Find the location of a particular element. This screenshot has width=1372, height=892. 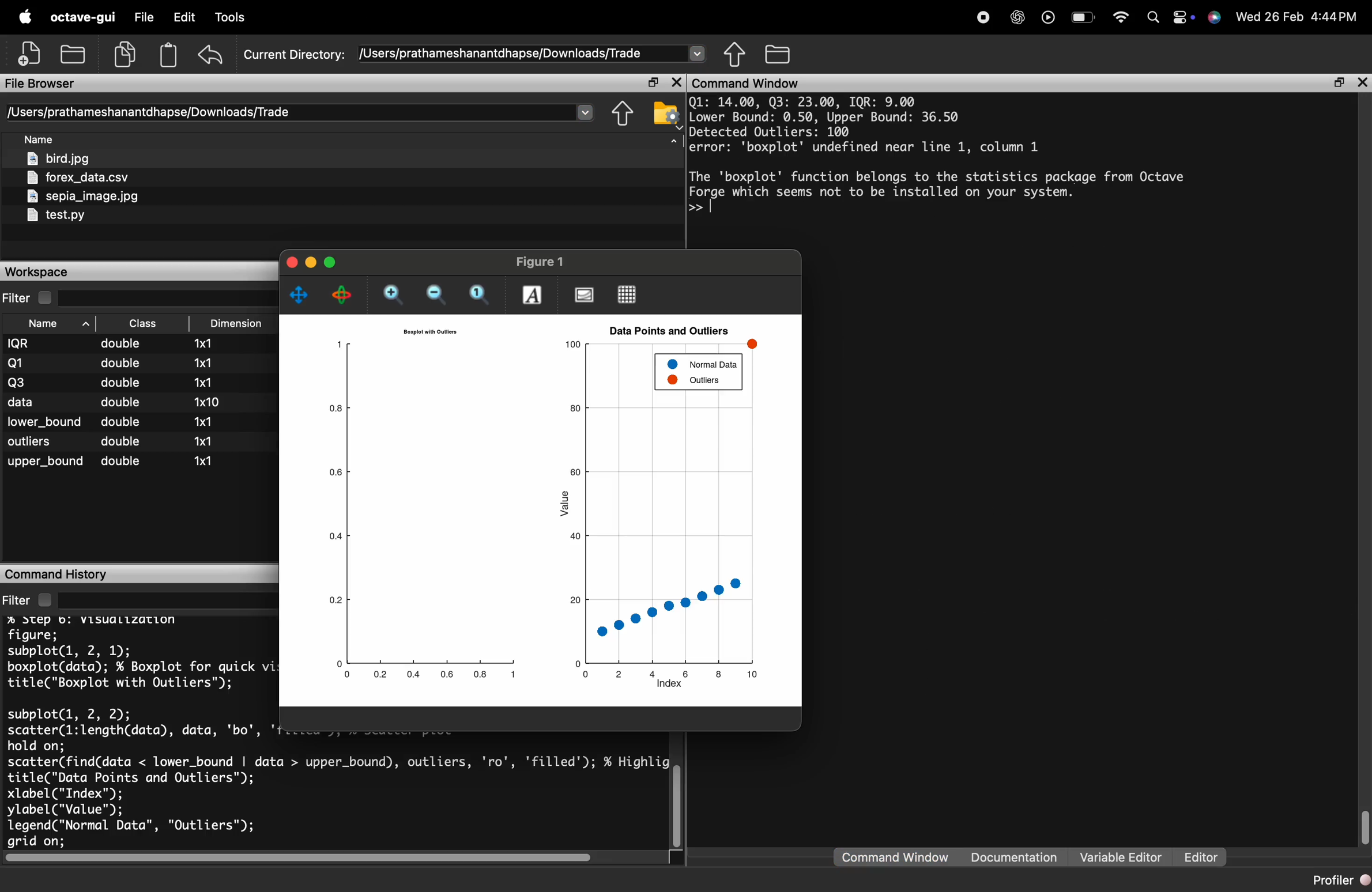

chatgpt is located at coordinates (1018, 19).